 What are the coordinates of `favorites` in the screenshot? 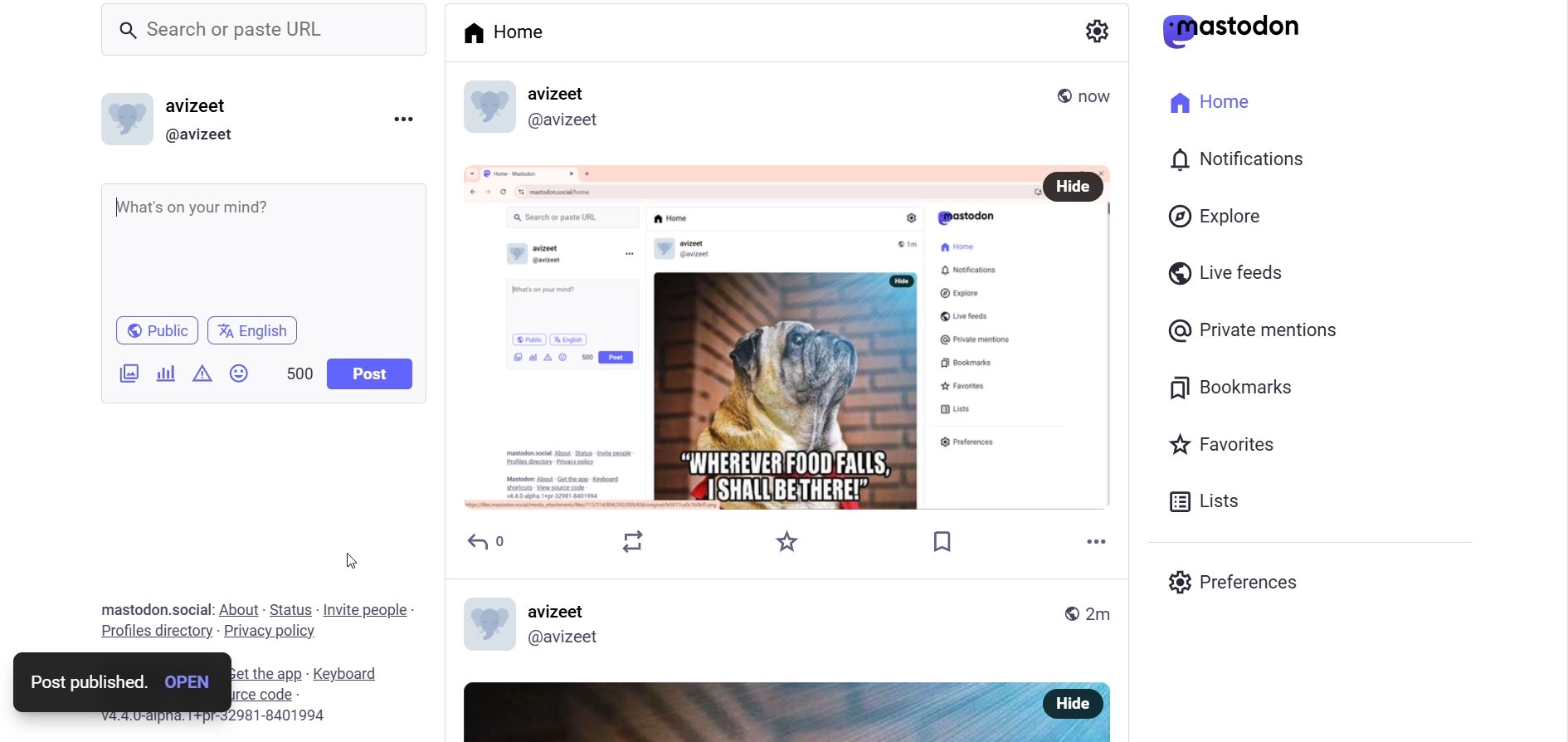 It's located at (1231, 442).